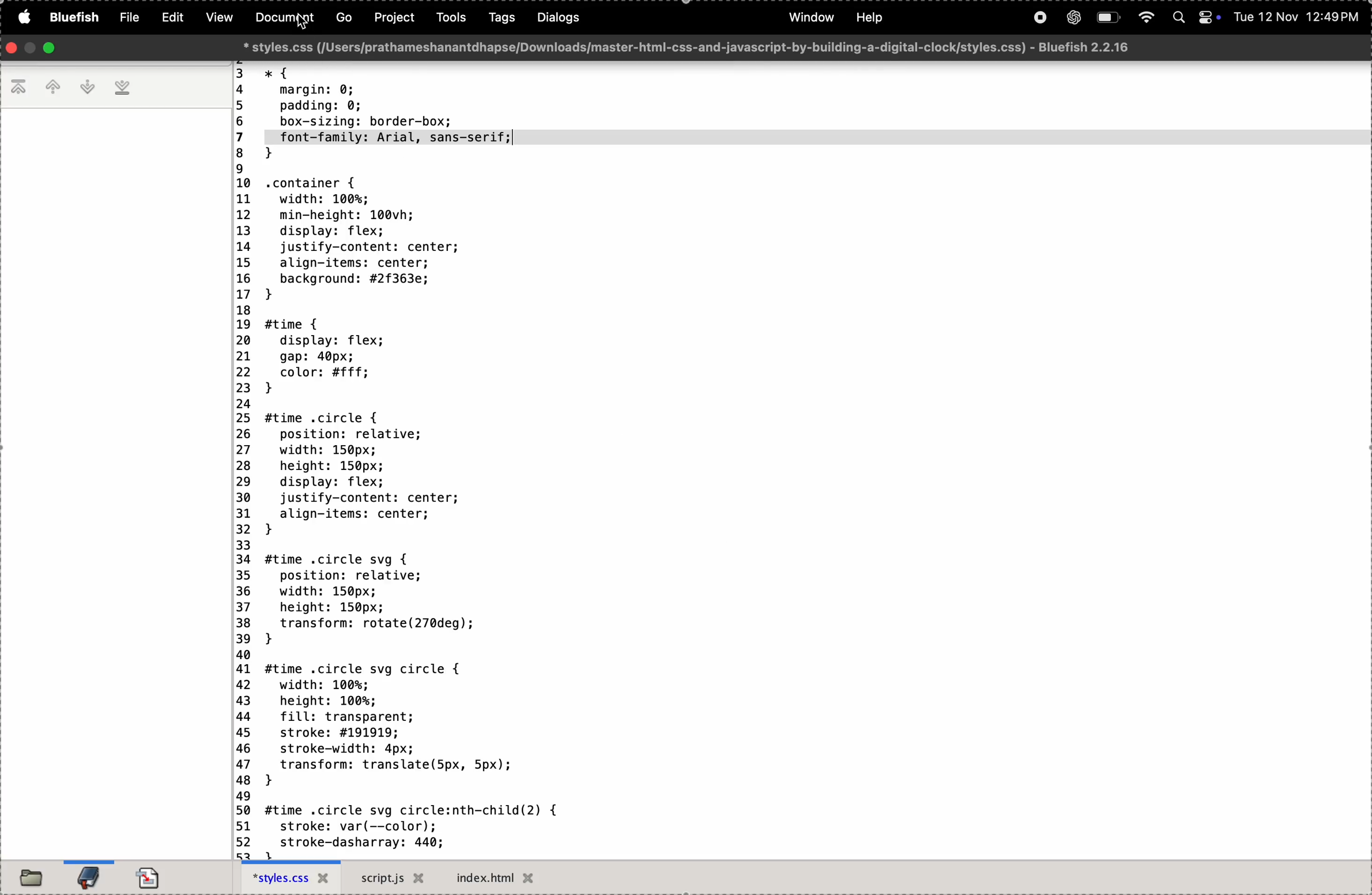 The height and width of the screenshot is (895, 1372). I want to click on next book mark, so click(89, 87).